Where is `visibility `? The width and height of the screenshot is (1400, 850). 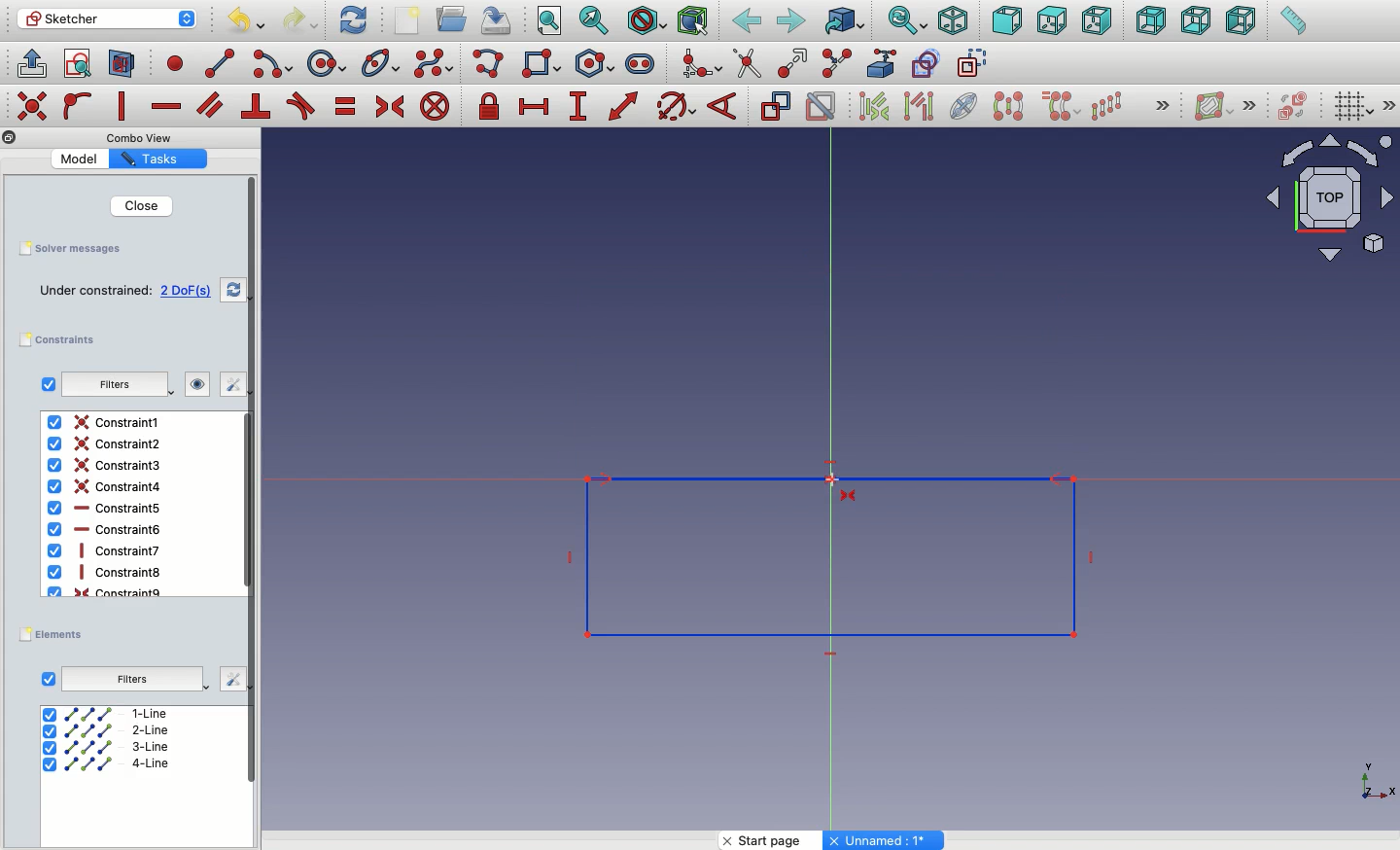
visibility  is located at coordinates (193, 384).